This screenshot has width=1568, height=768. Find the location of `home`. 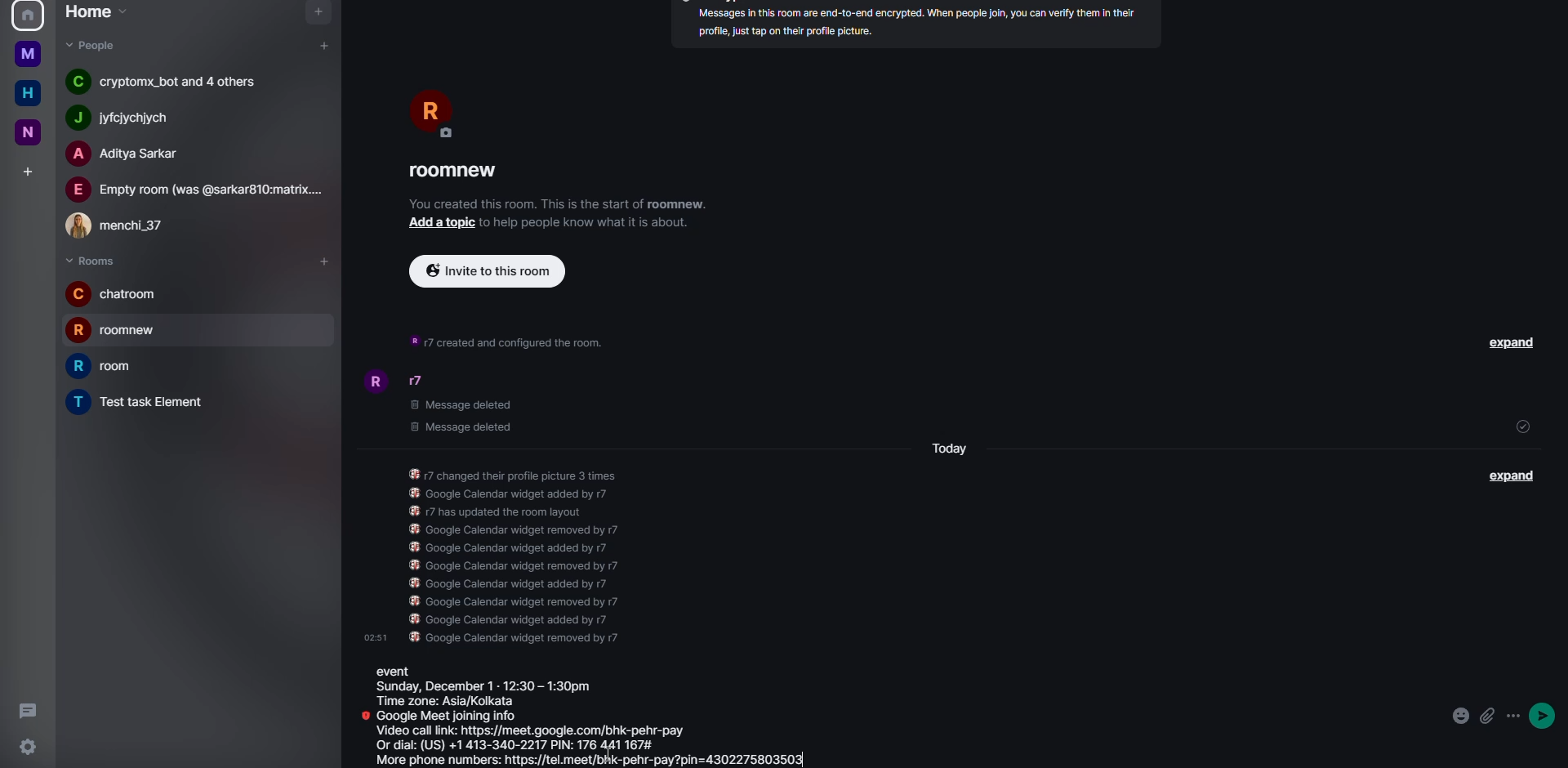

home is located at coordinates (28, 93).